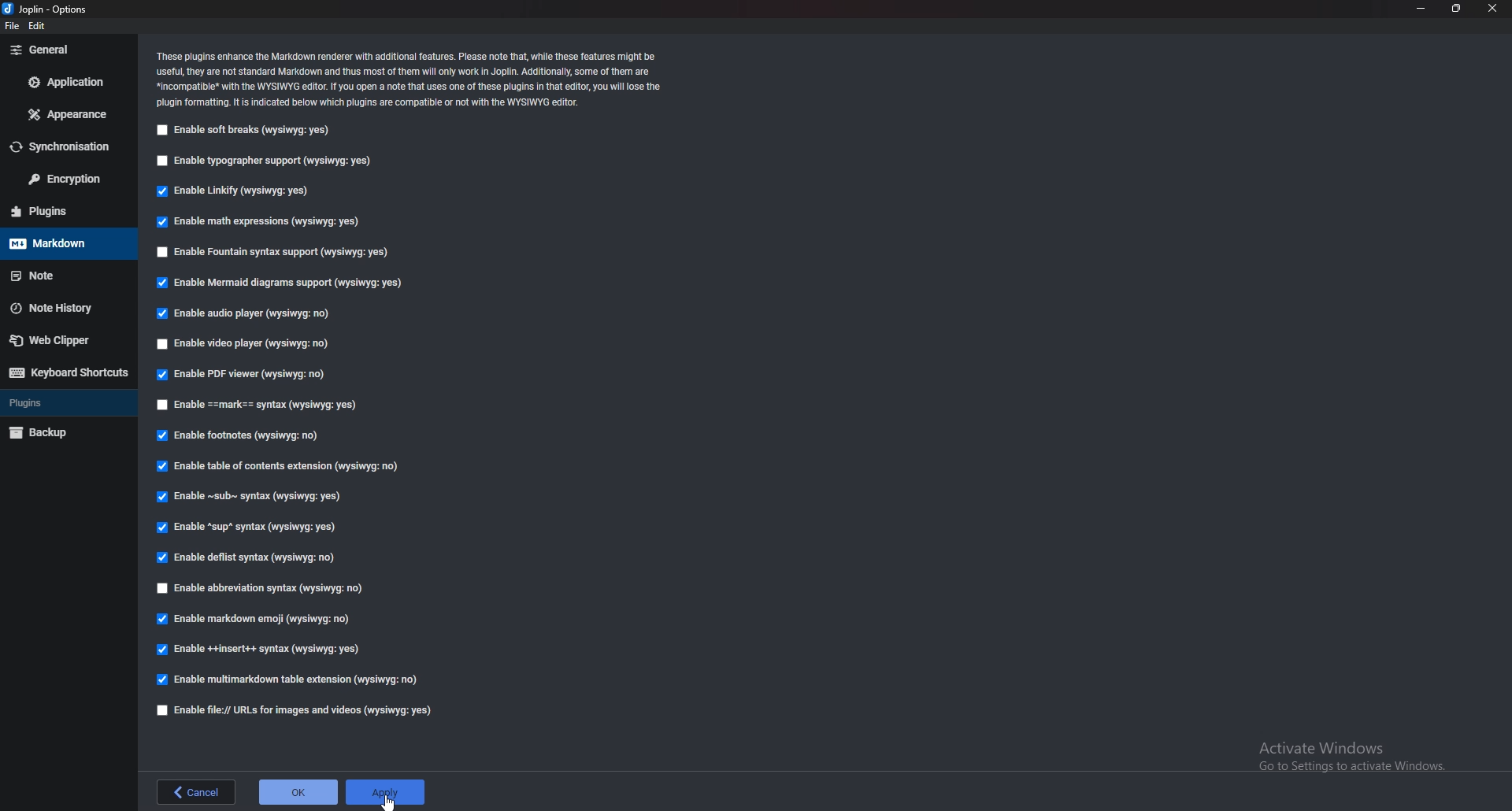 This screenshot has width=1512, height=811. What do you see at coordinates (66, 339) in the screenshot?
I see `Web Clipper` at bounding box center [66, 339].